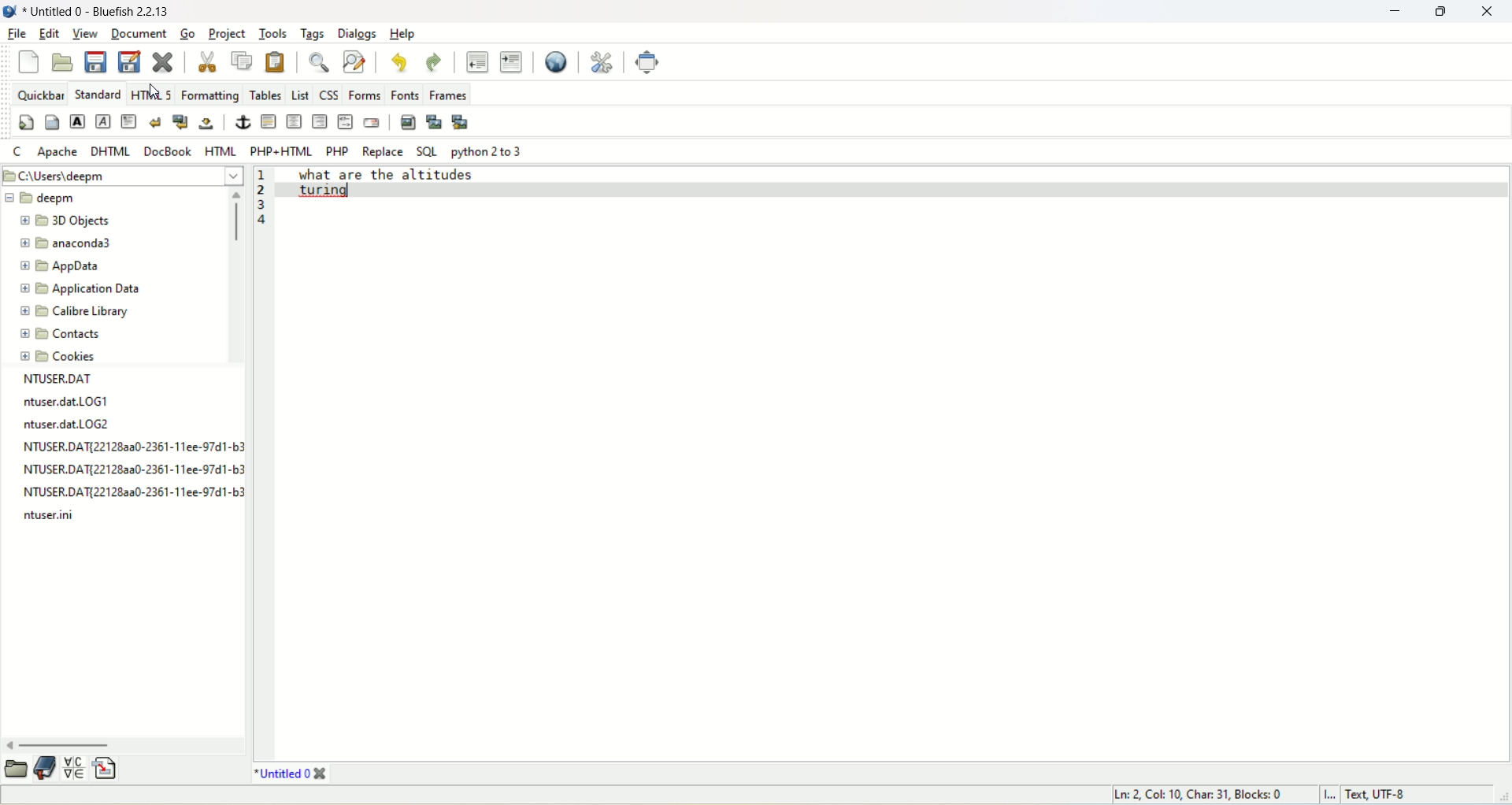  I want to click on open file, so click(63, 61).